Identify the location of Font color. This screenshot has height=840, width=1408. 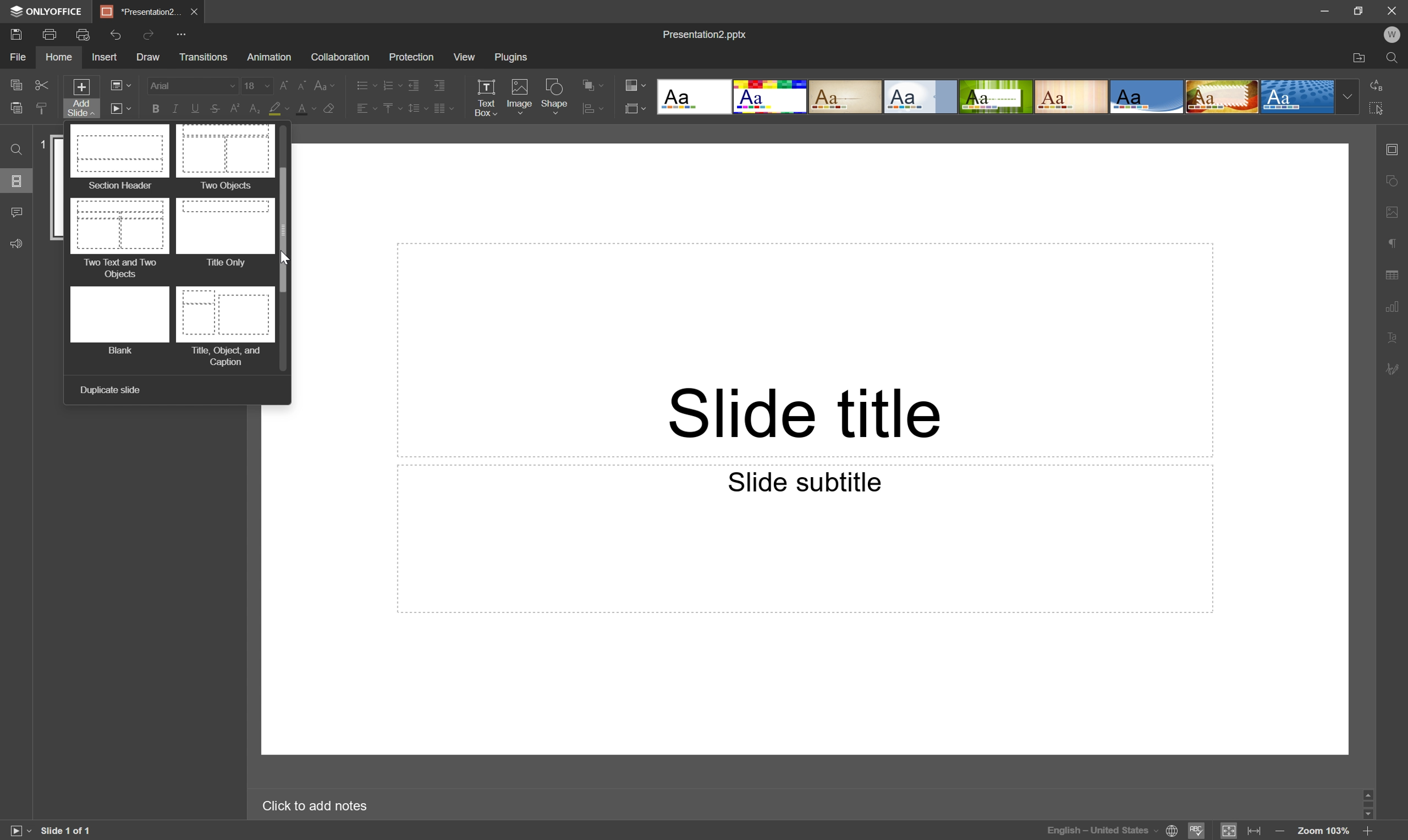
(303, 106).